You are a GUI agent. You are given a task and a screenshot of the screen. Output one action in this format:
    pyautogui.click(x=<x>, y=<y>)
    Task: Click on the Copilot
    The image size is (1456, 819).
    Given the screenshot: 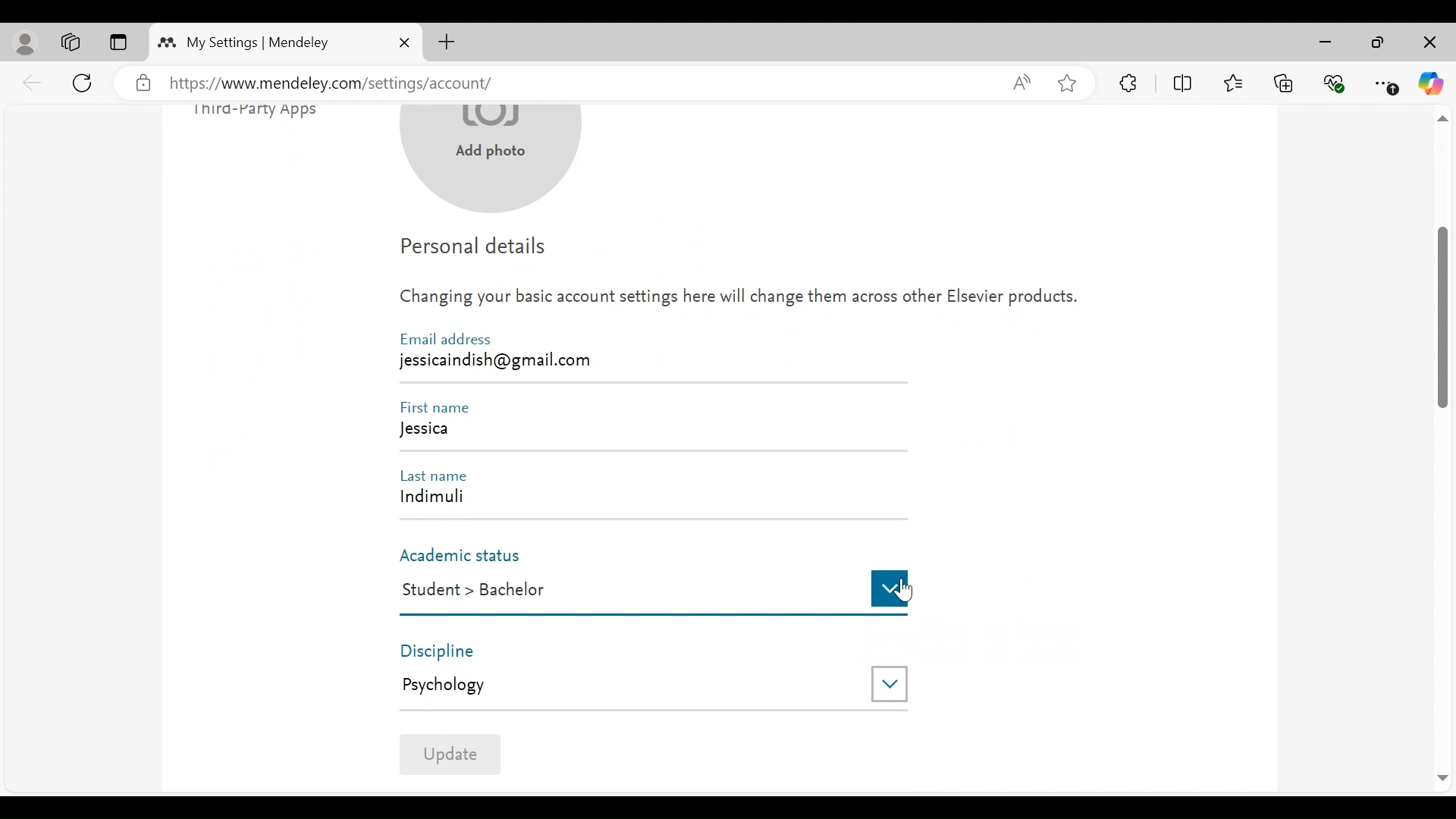 What is the action you would take?
    pyautogui.click(x=1431, y=83)
    